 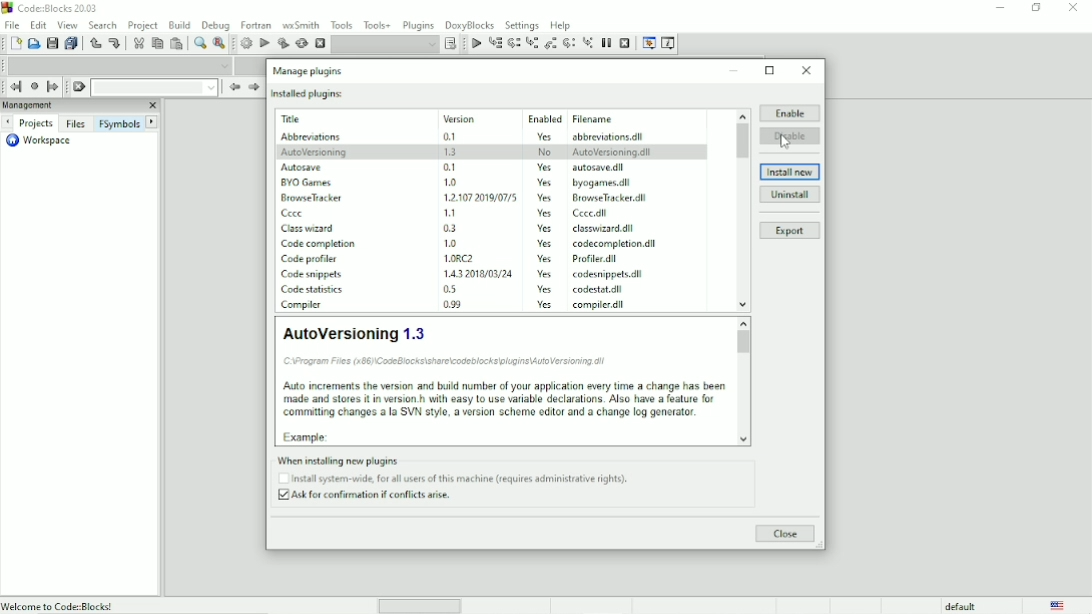 I want to click on Code completion, so click(x=320, y=244).